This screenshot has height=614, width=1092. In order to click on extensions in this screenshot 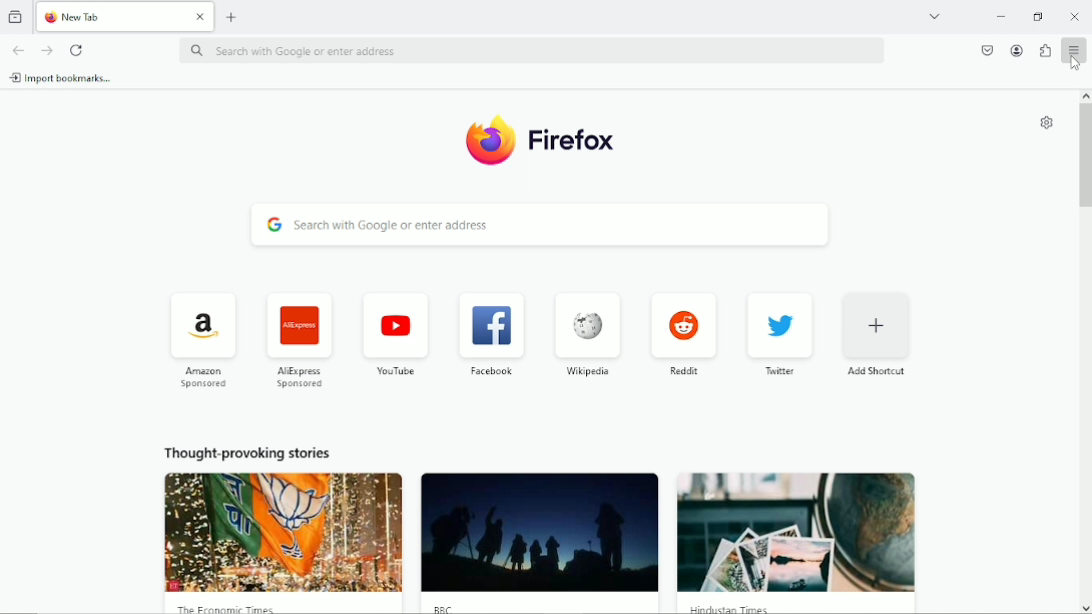, I will do `click(1045, 50)`.